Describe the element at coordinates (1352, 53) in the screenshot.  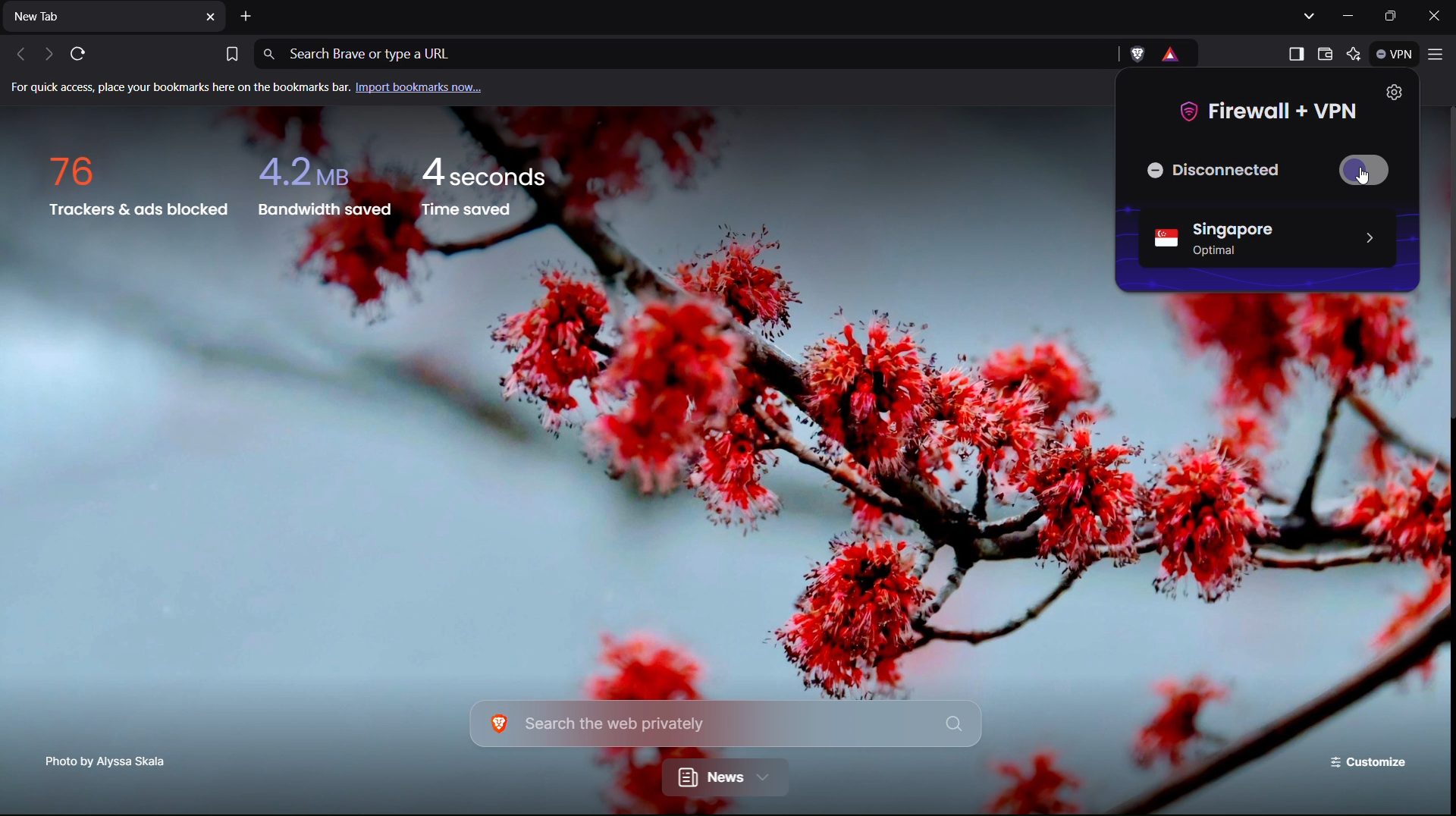
I see `Leo AI` at that location.